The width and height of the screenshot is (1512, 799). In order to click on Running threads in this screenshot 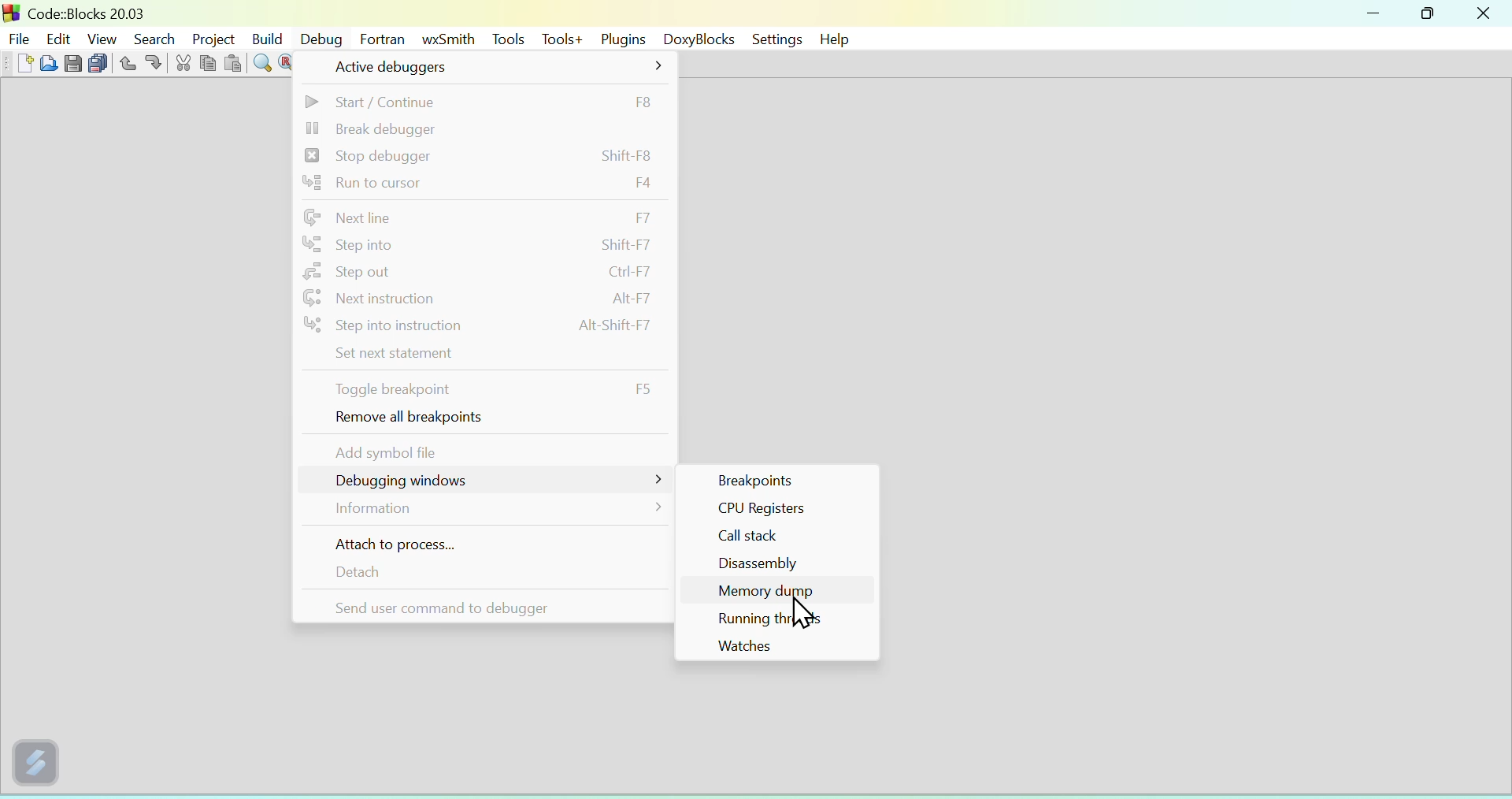, I will do `click(780, 619)`.